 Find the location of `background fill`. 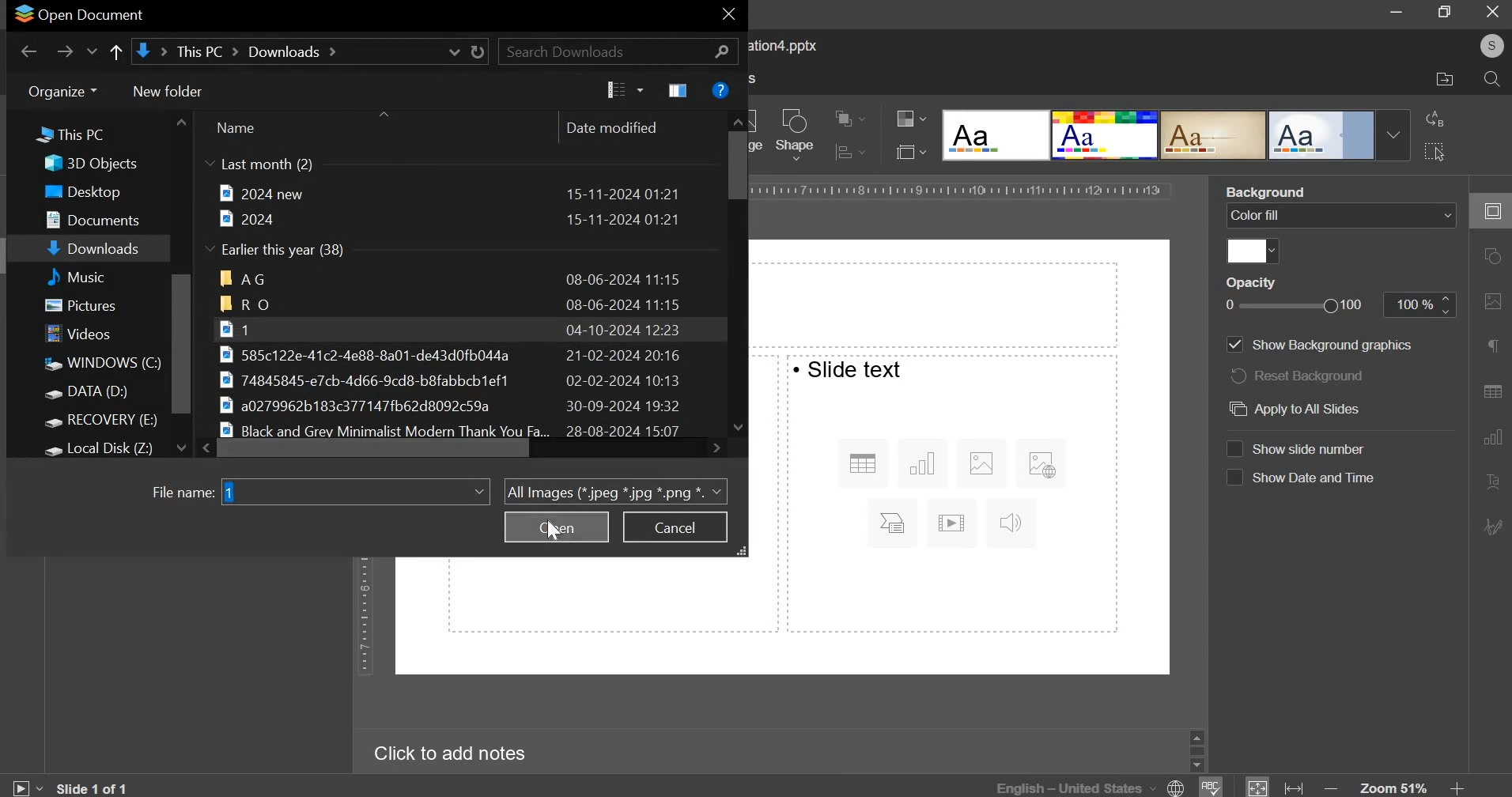

background fill is located at coordinates (1341, 215).